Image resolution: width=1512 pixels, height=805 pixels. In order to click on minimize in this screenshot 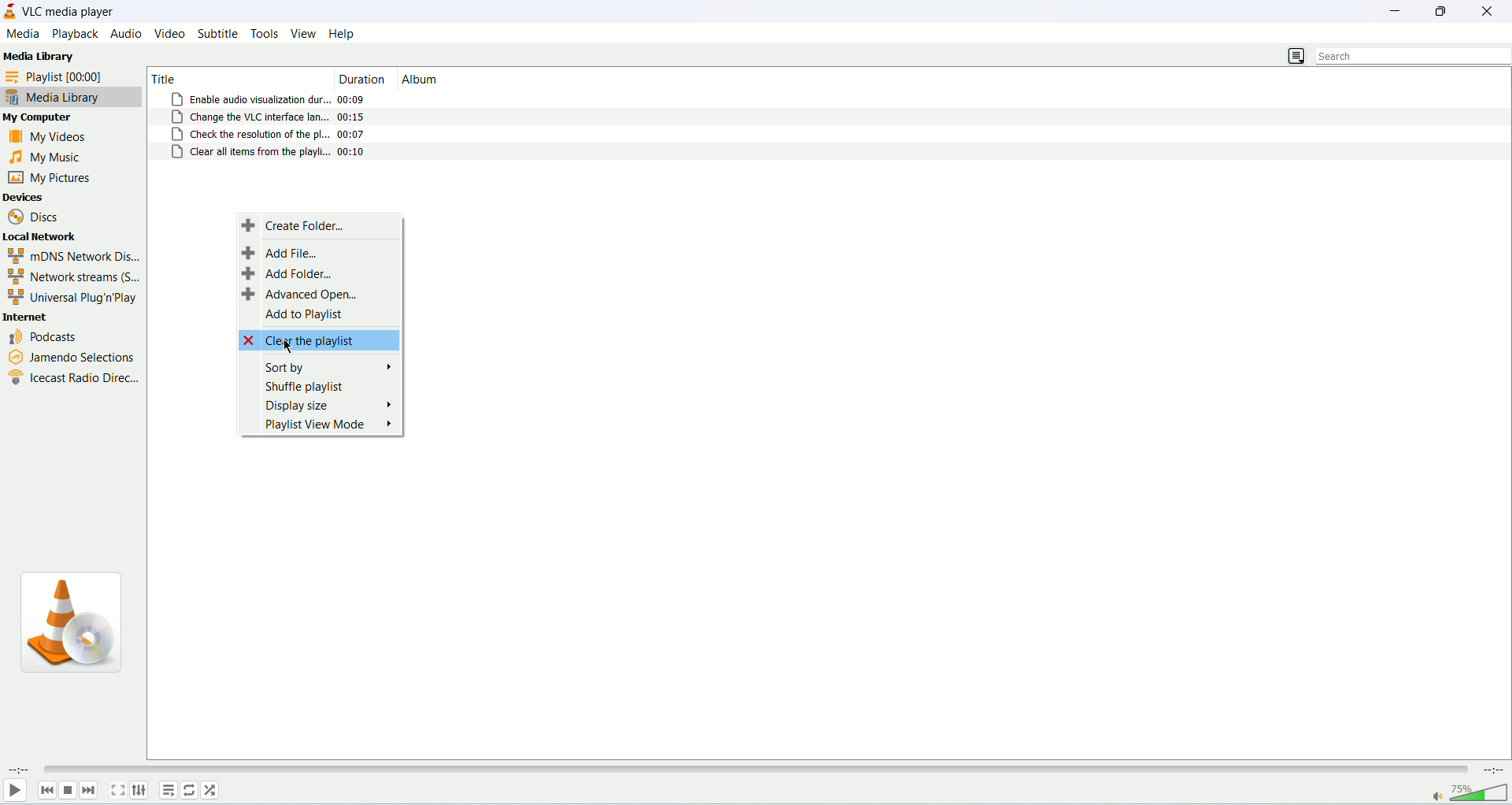, I will do `click(1397, 14)`.